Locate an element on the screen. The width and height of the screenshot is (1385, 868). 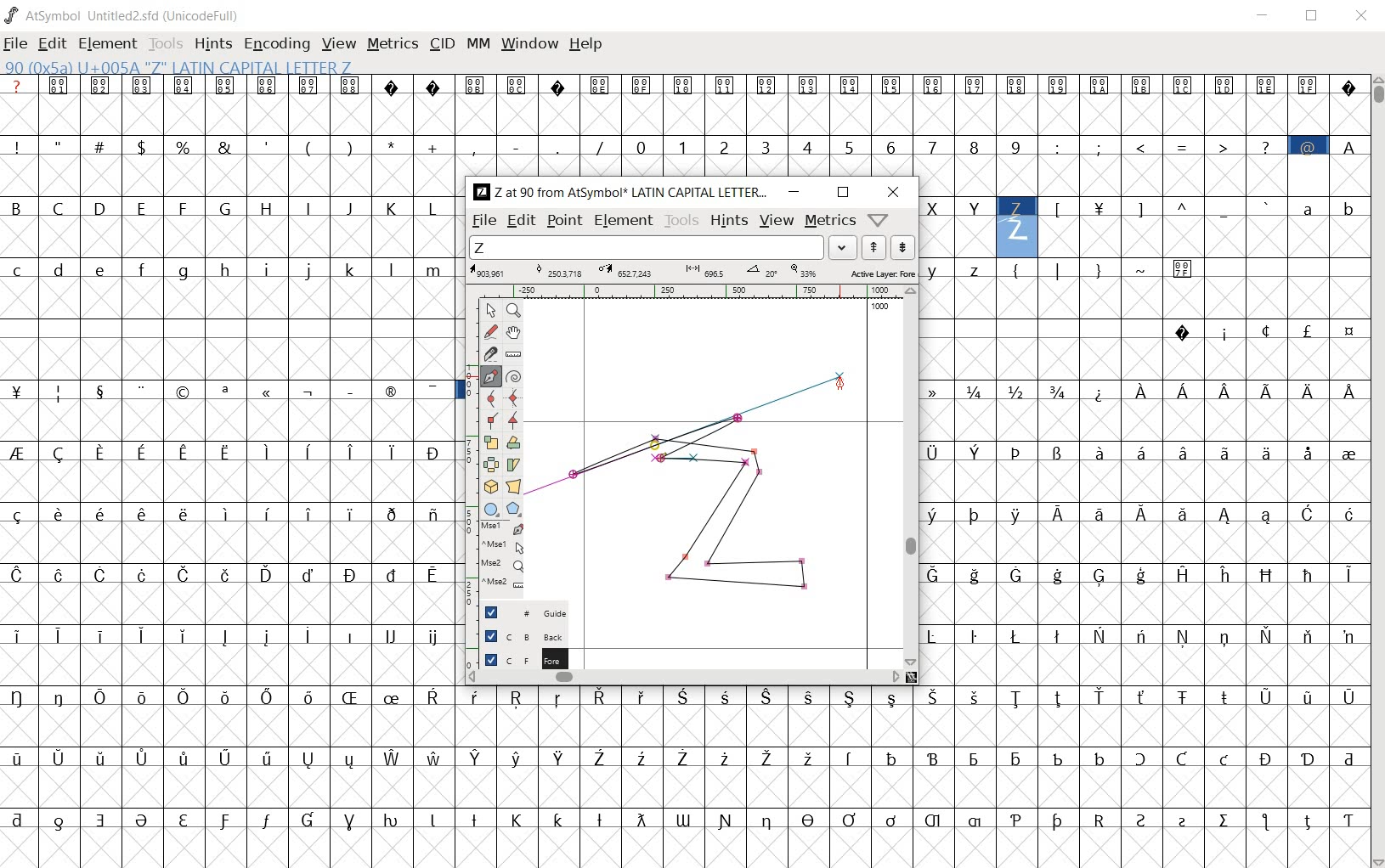
scroll by hand is located at coordinates (515, 332).